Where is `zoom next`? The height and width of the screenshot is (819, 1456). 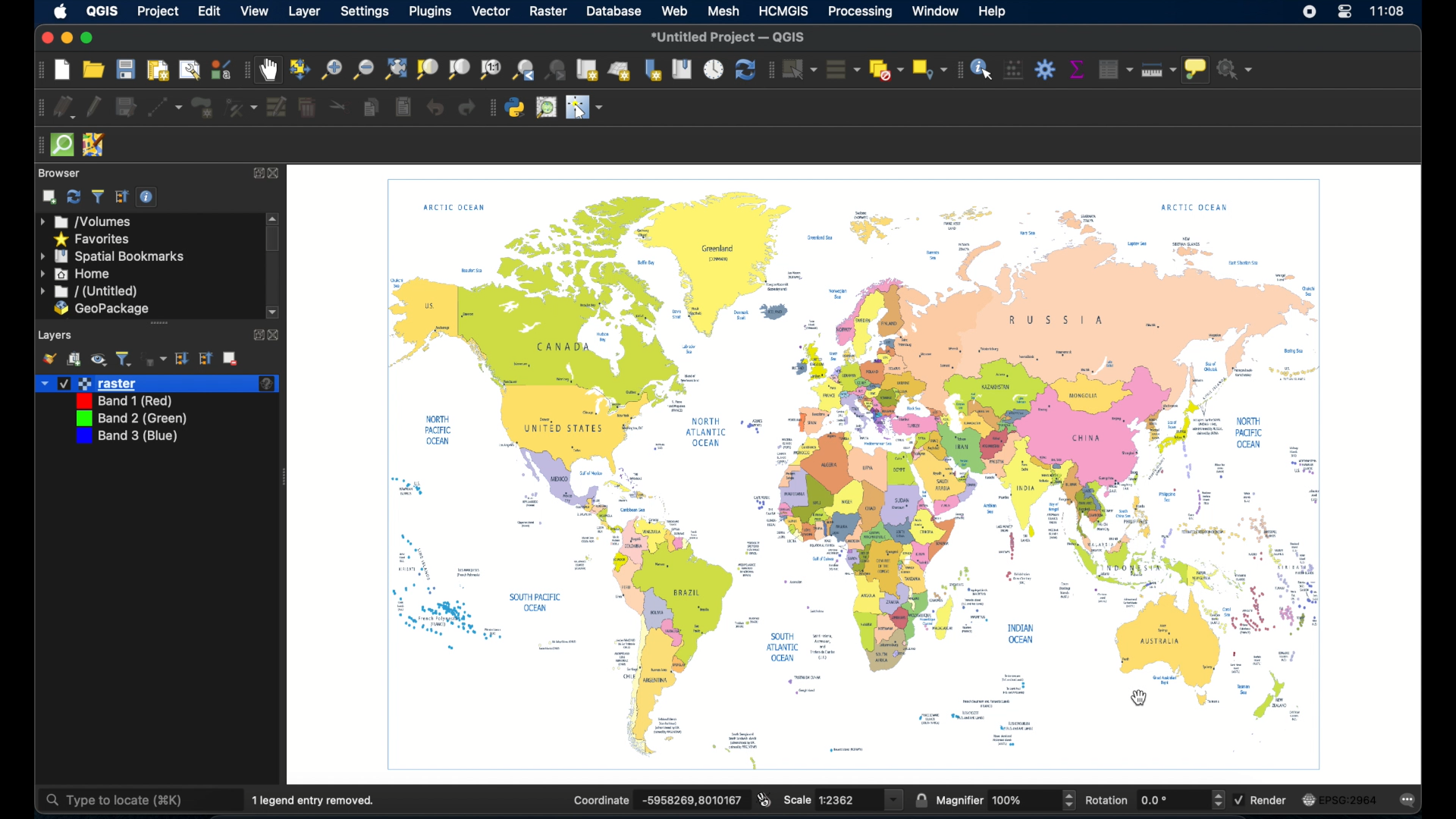
zoom next is located at coordinates (557, 69).